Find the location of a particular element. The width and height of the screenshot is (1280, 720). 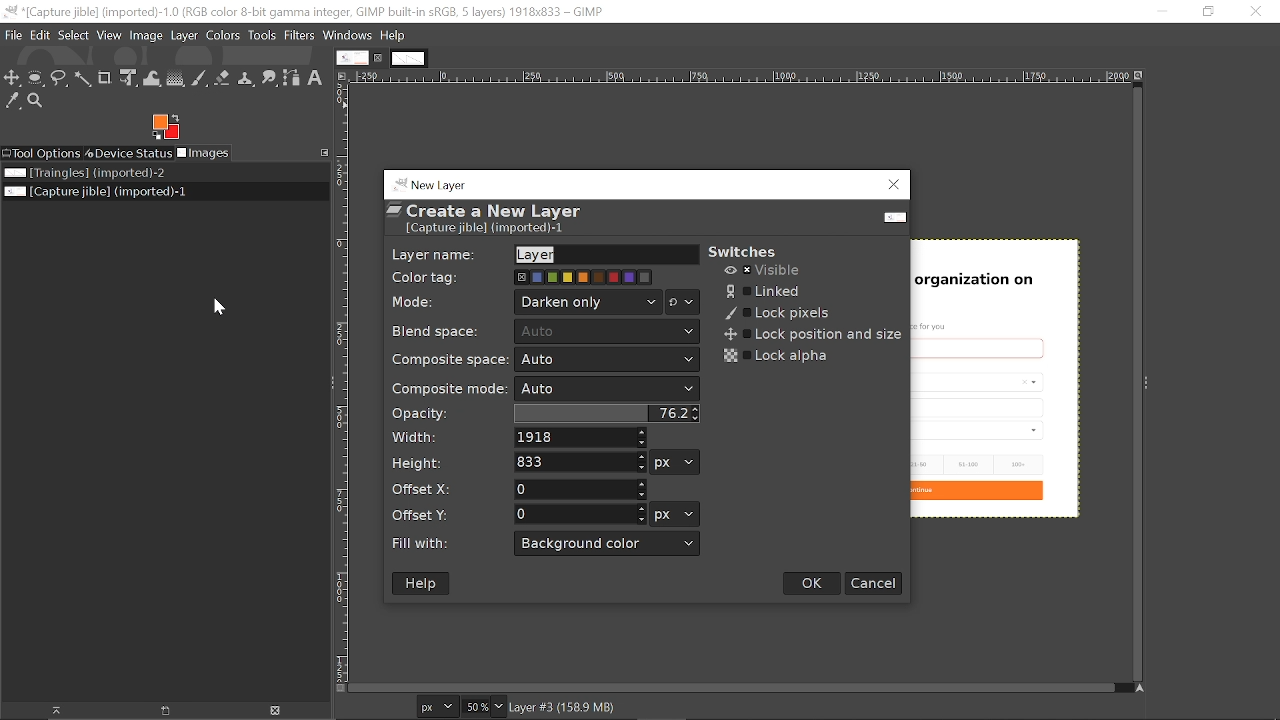

Path tool is located at coordinates (293, 80).